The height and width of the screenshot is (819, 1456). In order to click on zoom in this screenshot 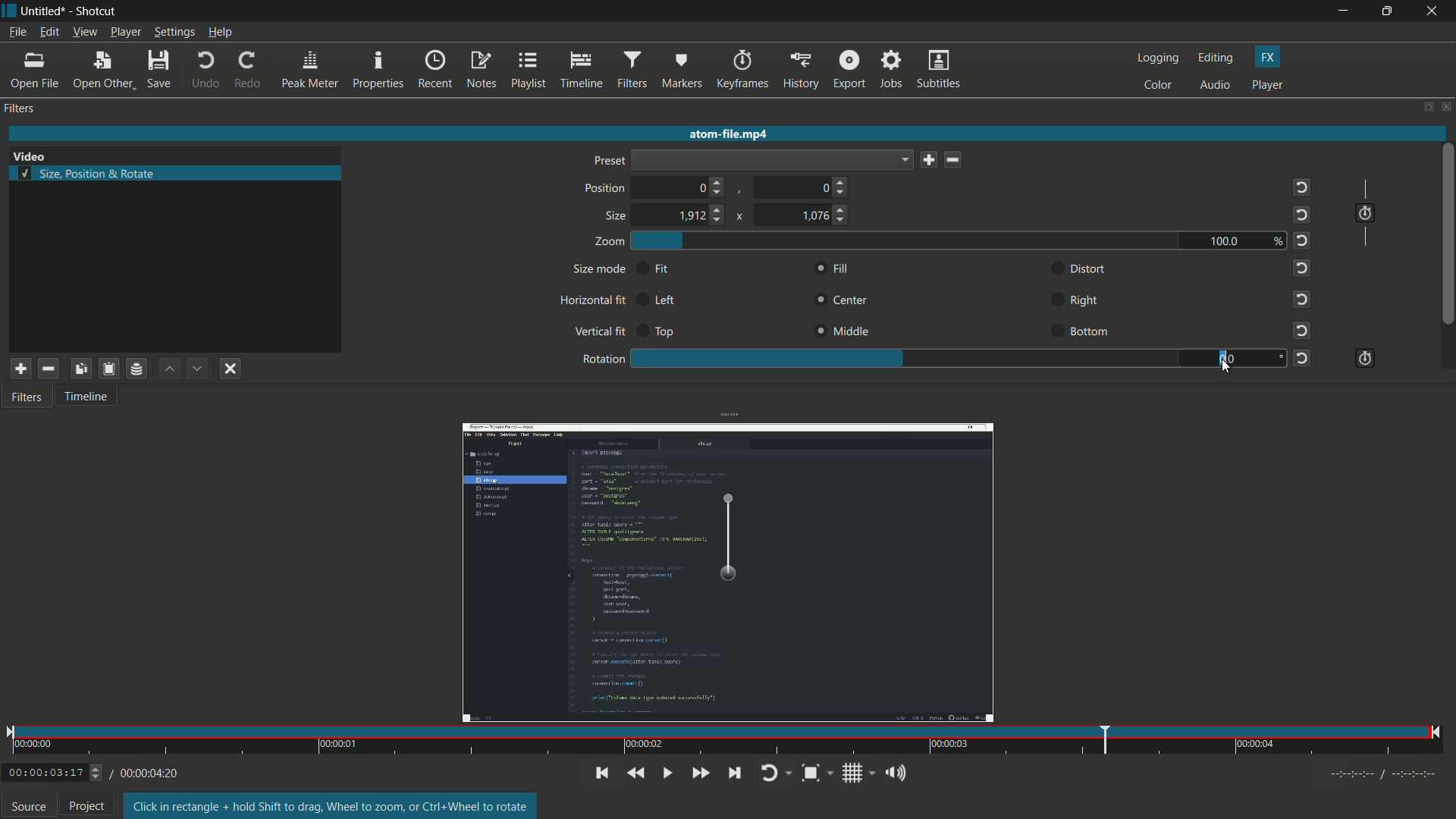, I will do `click(609, 242)`.